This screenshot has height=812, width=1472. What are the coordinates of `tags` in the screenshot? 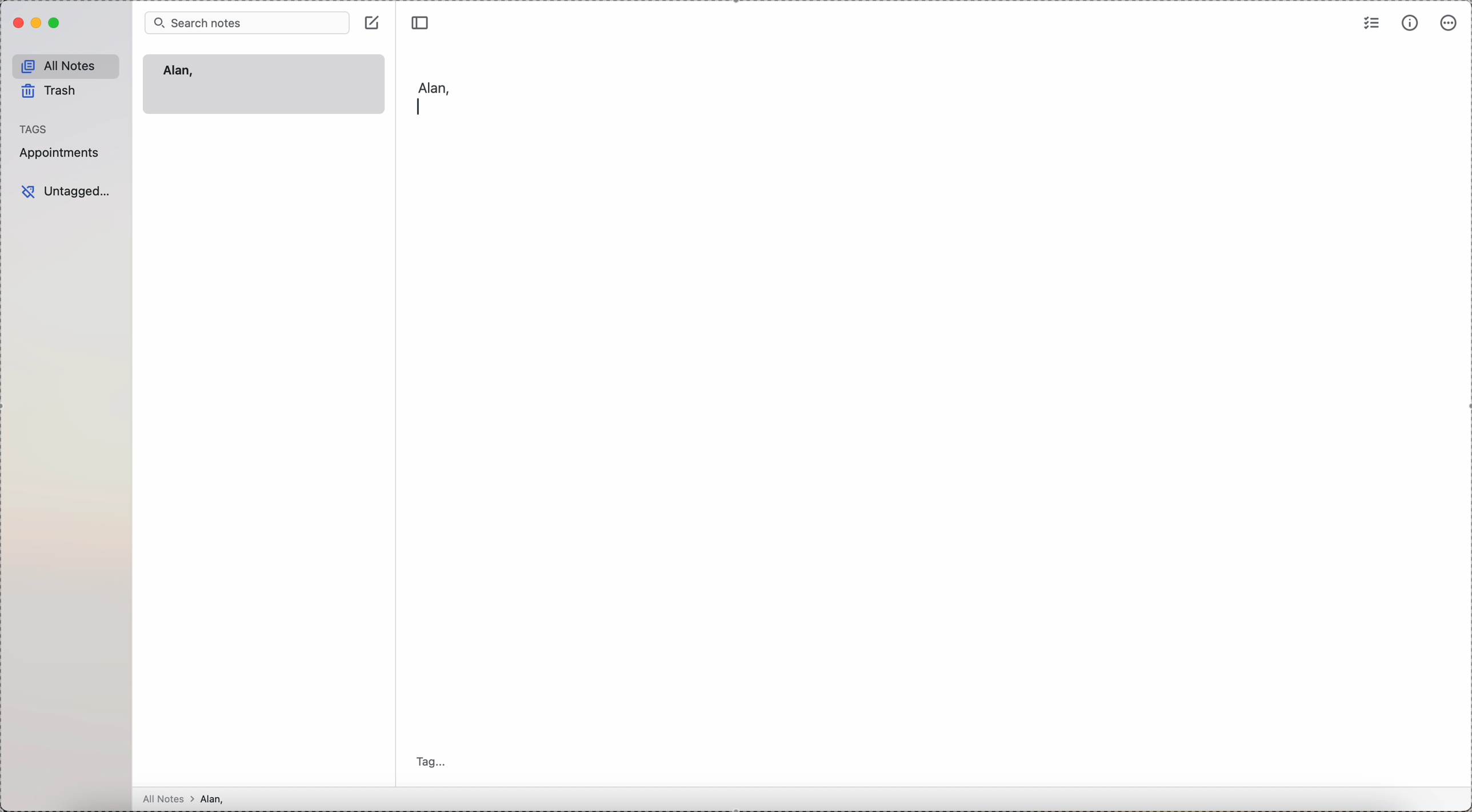 It's located at (34, 129).